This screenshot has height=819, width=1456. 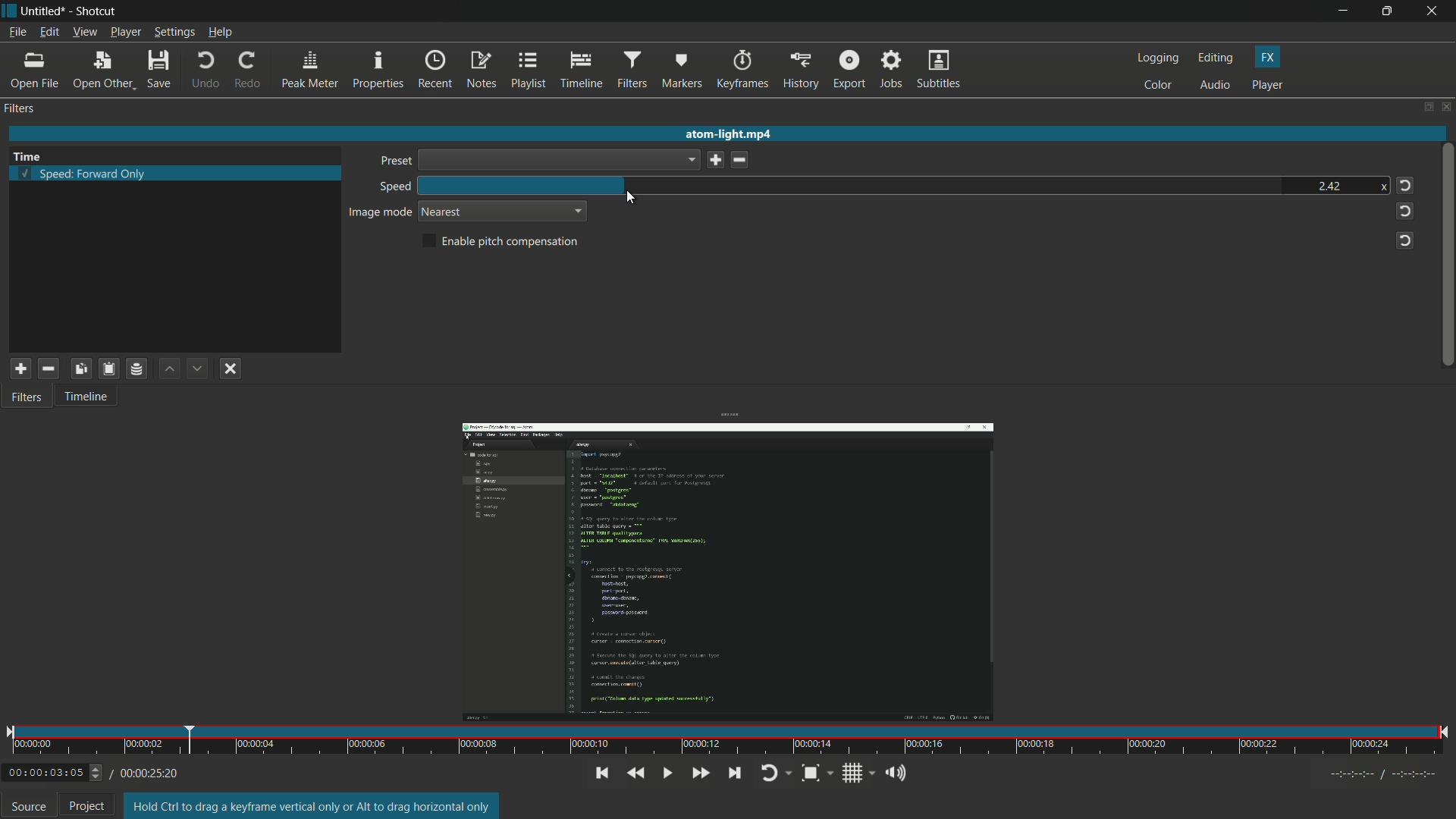 What do you see at coordinates (33, 401) in the screenshot?
I see `Filters` at bounding box center [33, 401].